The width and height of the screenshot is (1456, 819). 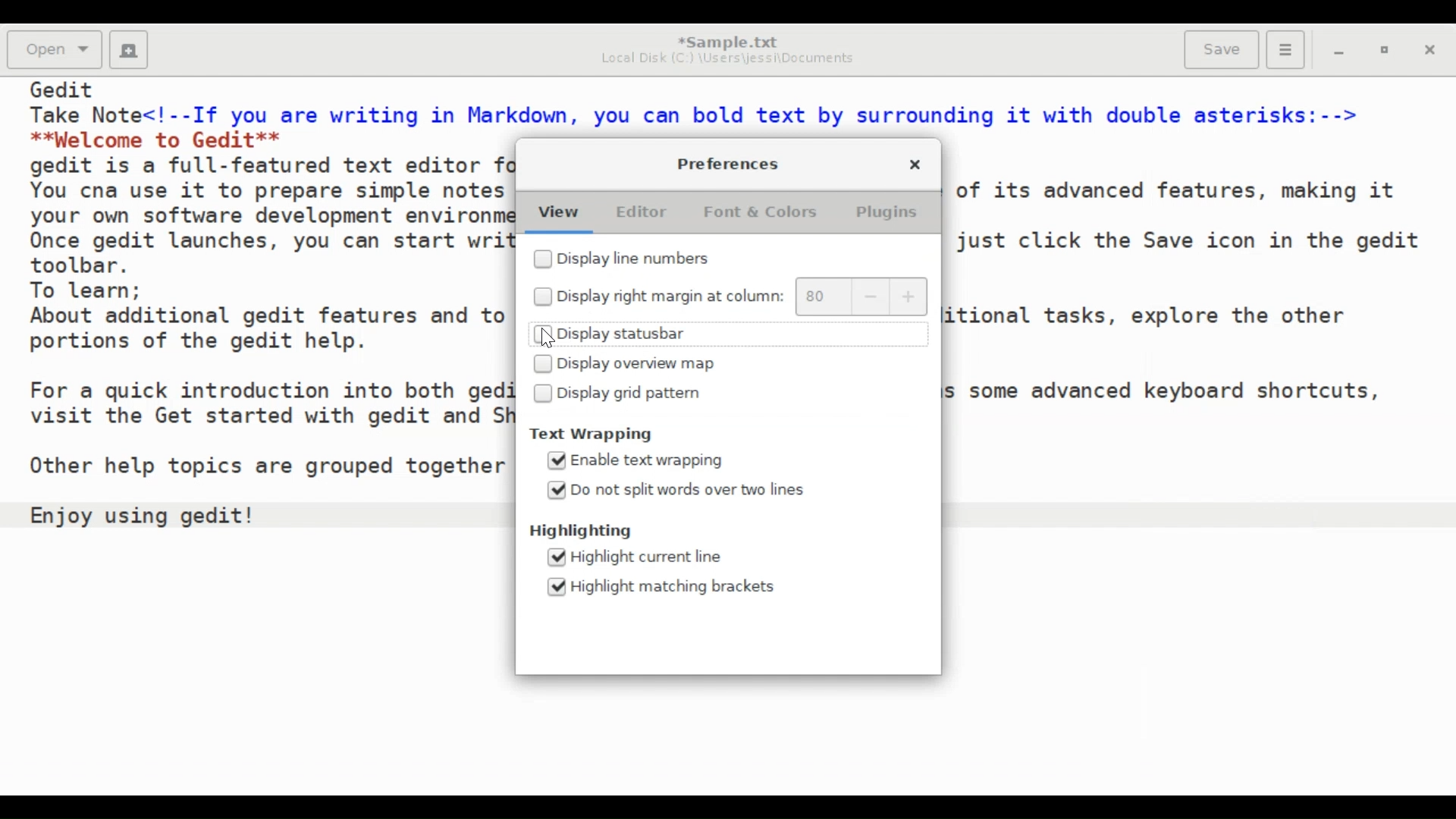 I want to click on Open, so click(x=54, y=49).